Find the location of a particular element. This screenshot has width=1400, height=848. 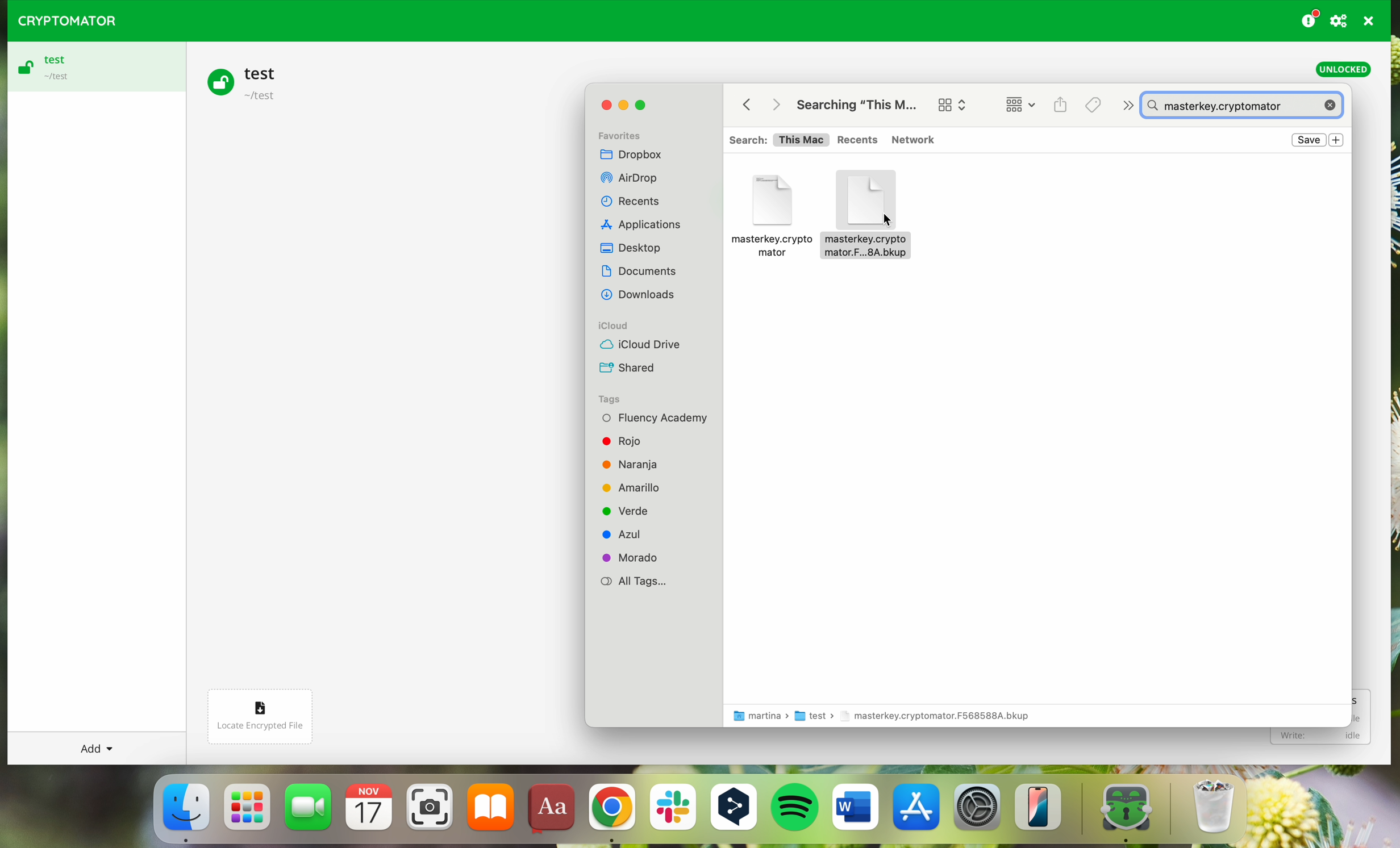

Appstore is located at coordinates (918, 811).